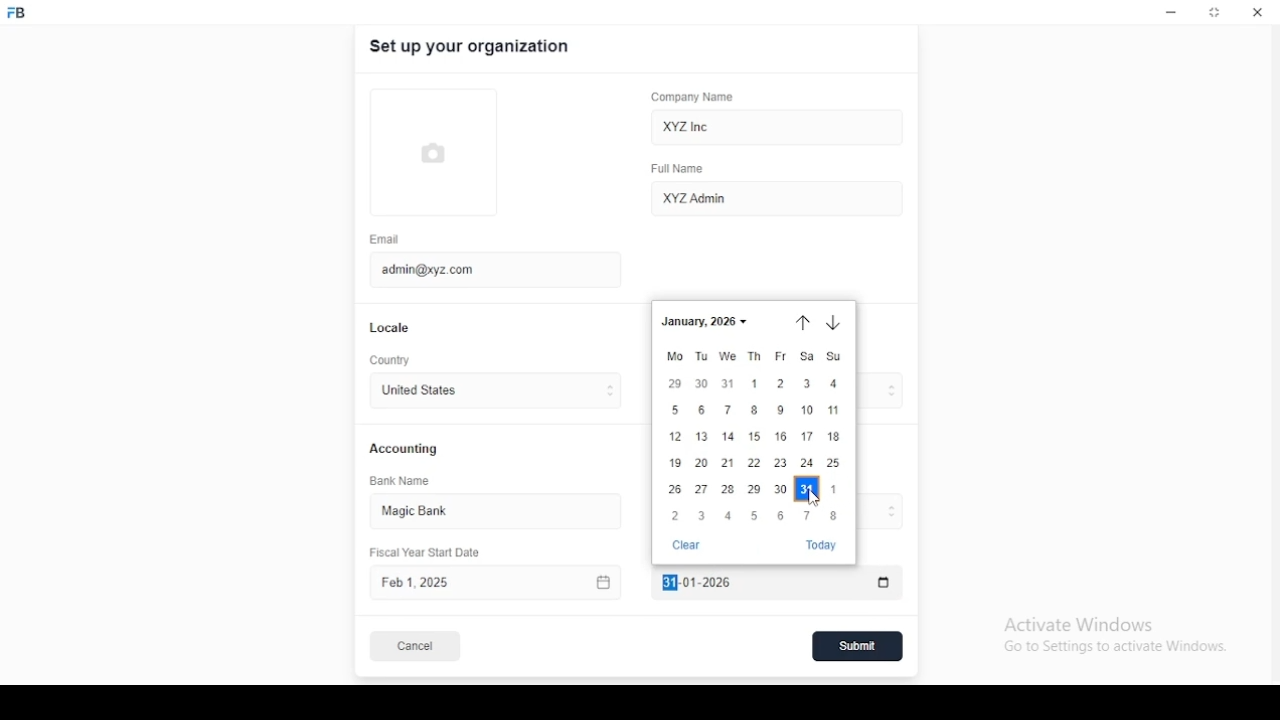 Image resolution: width=1280 pixels, height=720 pixels. Describe the element at coordinates (754, 464) in the screenshot. I see `22` at that location.